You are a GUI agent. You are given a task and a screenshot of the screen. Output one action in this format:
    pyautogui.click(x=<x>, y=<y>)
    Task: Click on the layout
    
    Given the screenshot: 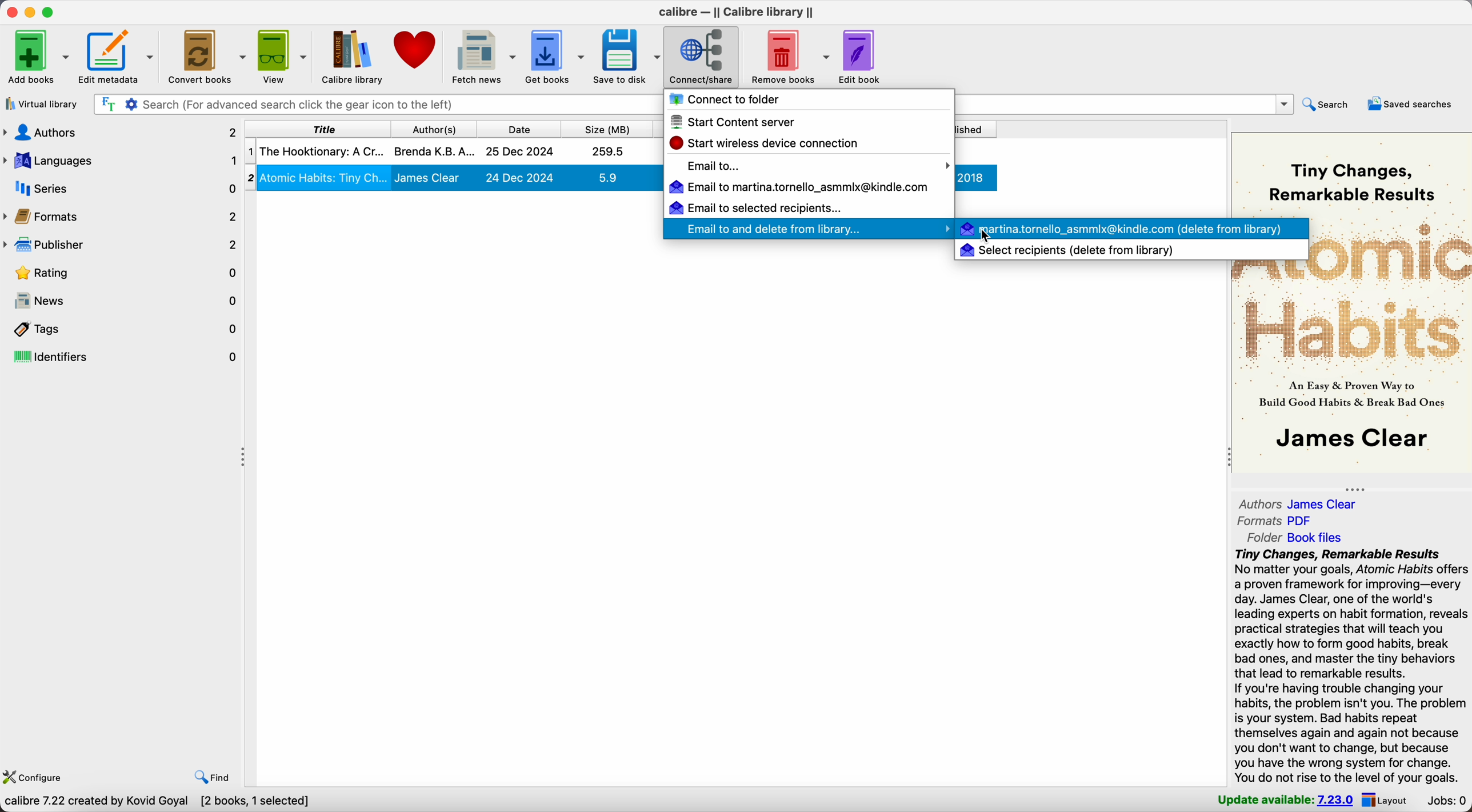 What is the action you would take?
    pyautogui.click(x=1387, y=801)
    